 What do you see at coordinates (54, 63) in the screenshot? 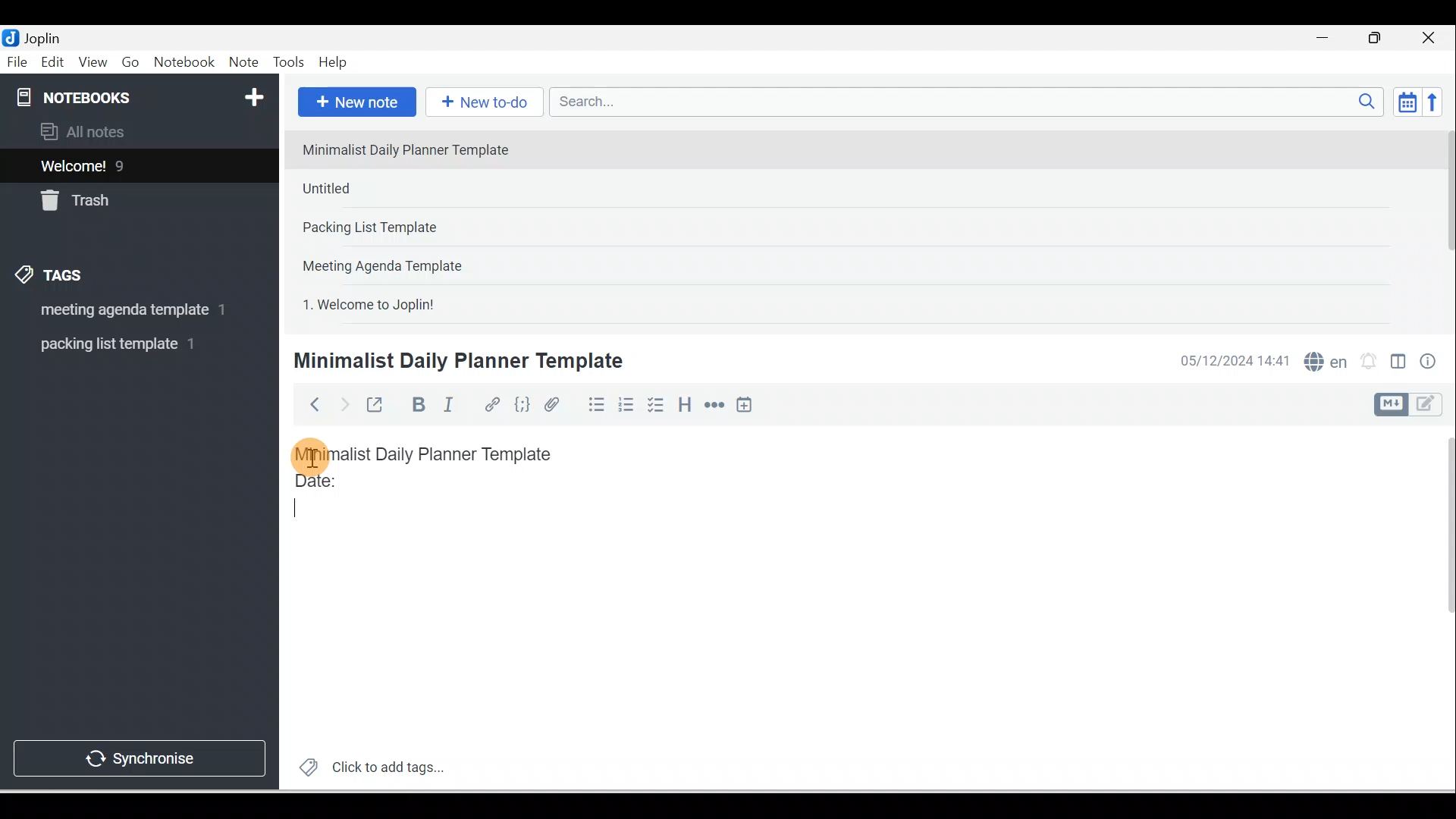
I see `Edit` at bounding box center [54, 63].